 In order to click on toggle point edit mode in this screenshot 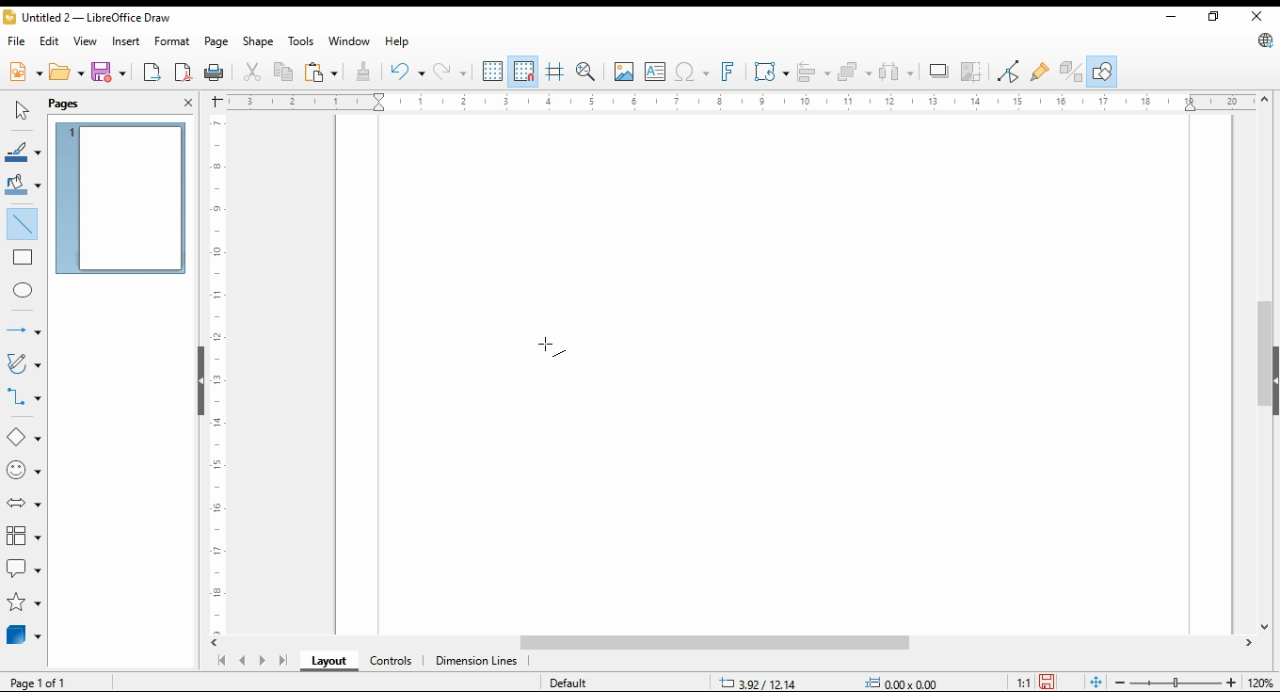, I will do `click(1009, 71)`.